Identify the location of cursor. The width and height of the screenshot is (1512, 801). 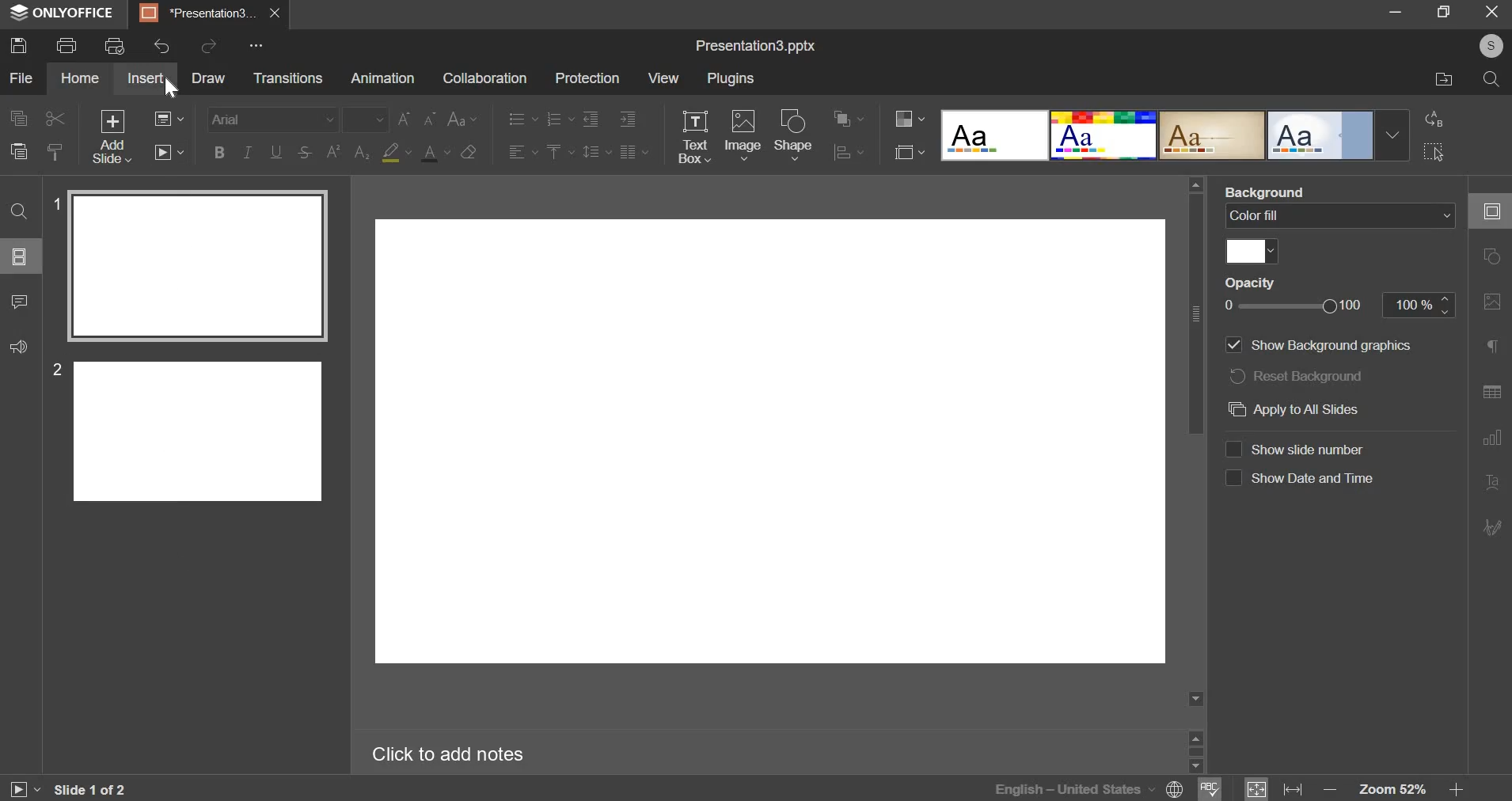
(173, 89).